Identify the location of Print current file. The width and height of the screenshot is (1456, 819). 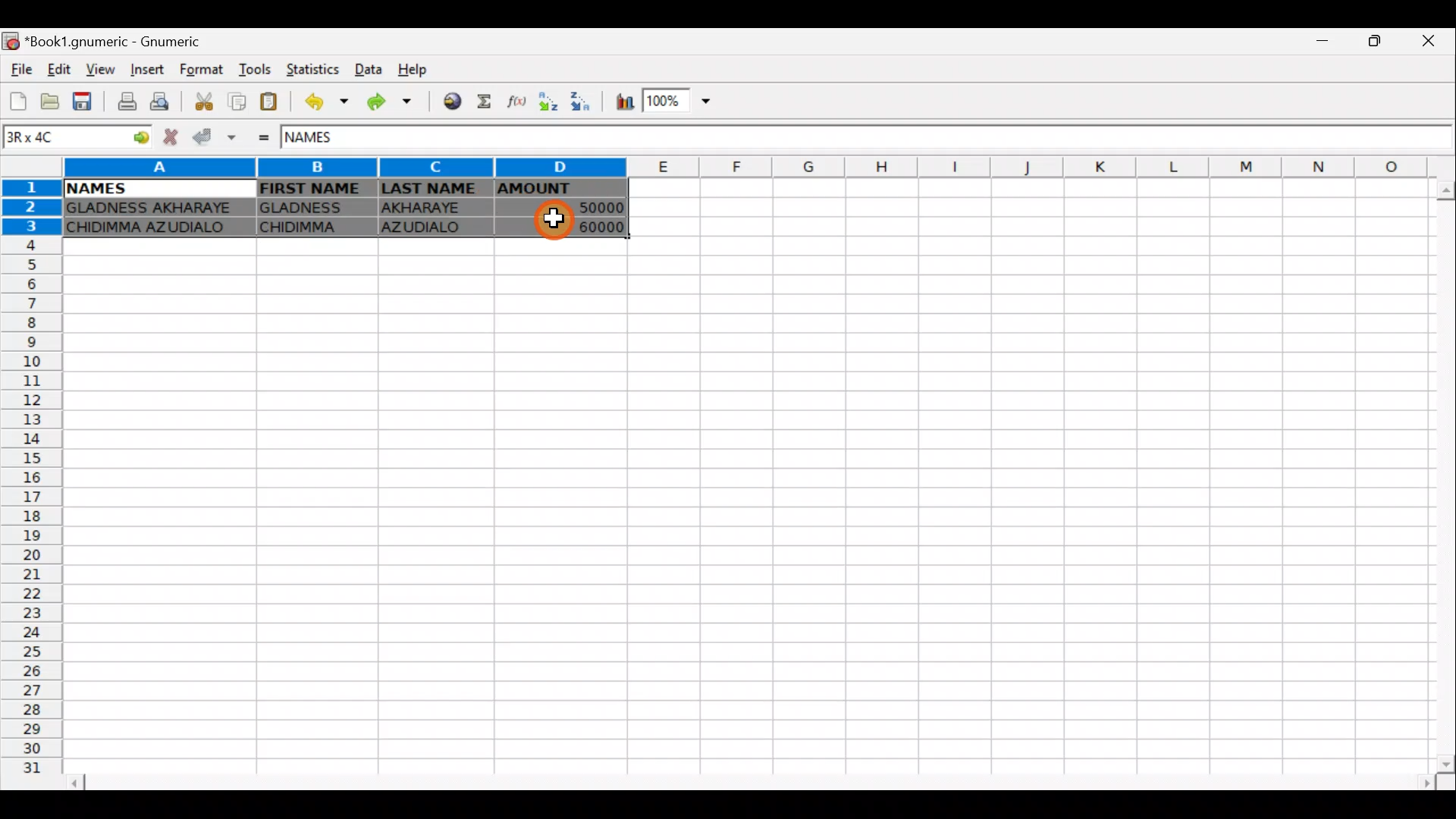
(128, 99).